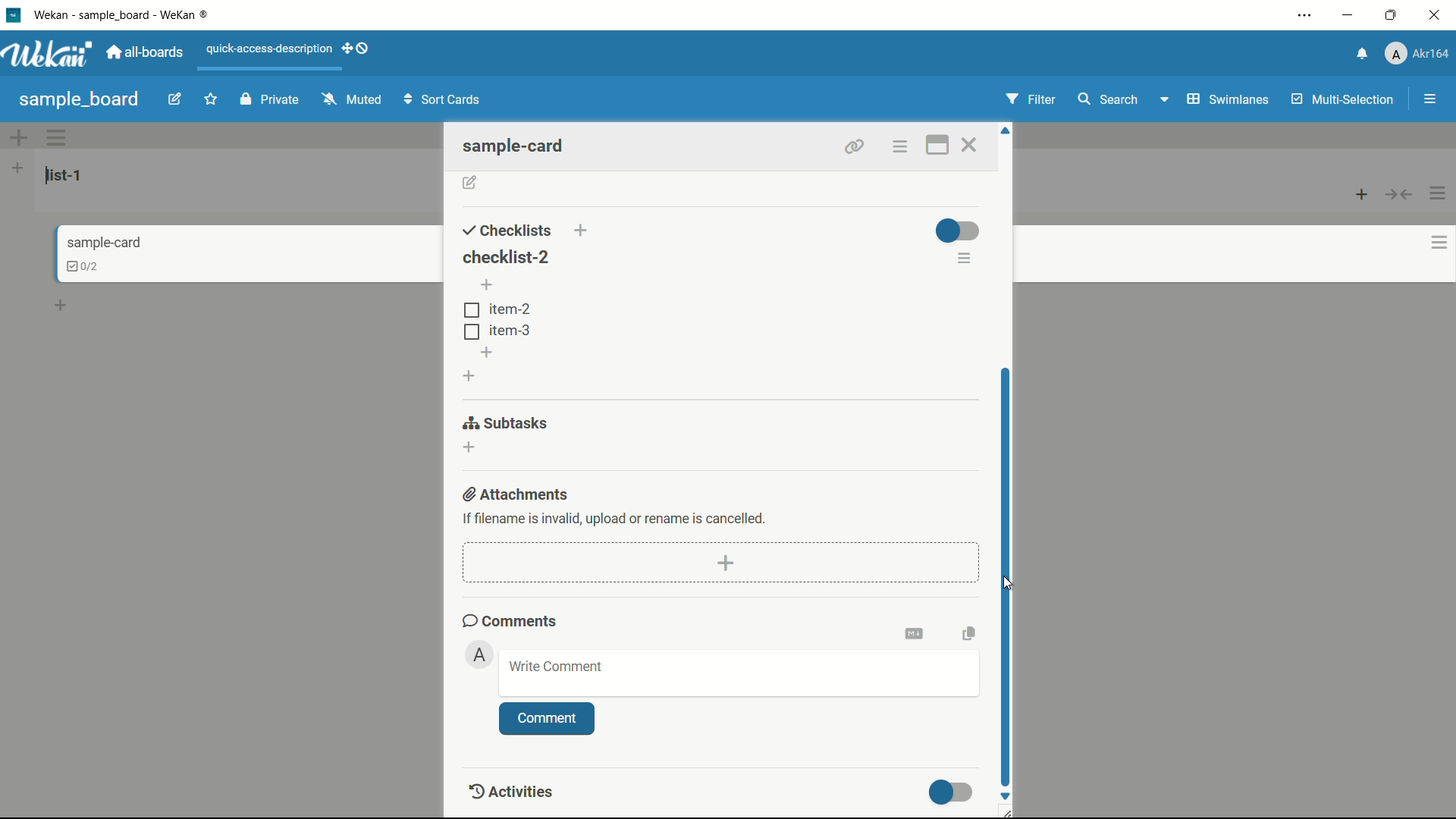 The width and height of the screenshot is (1456, 819). Describe the element at coordinates (1429, 99) in the screenshot. I see `show/hide sidebar` at that location.